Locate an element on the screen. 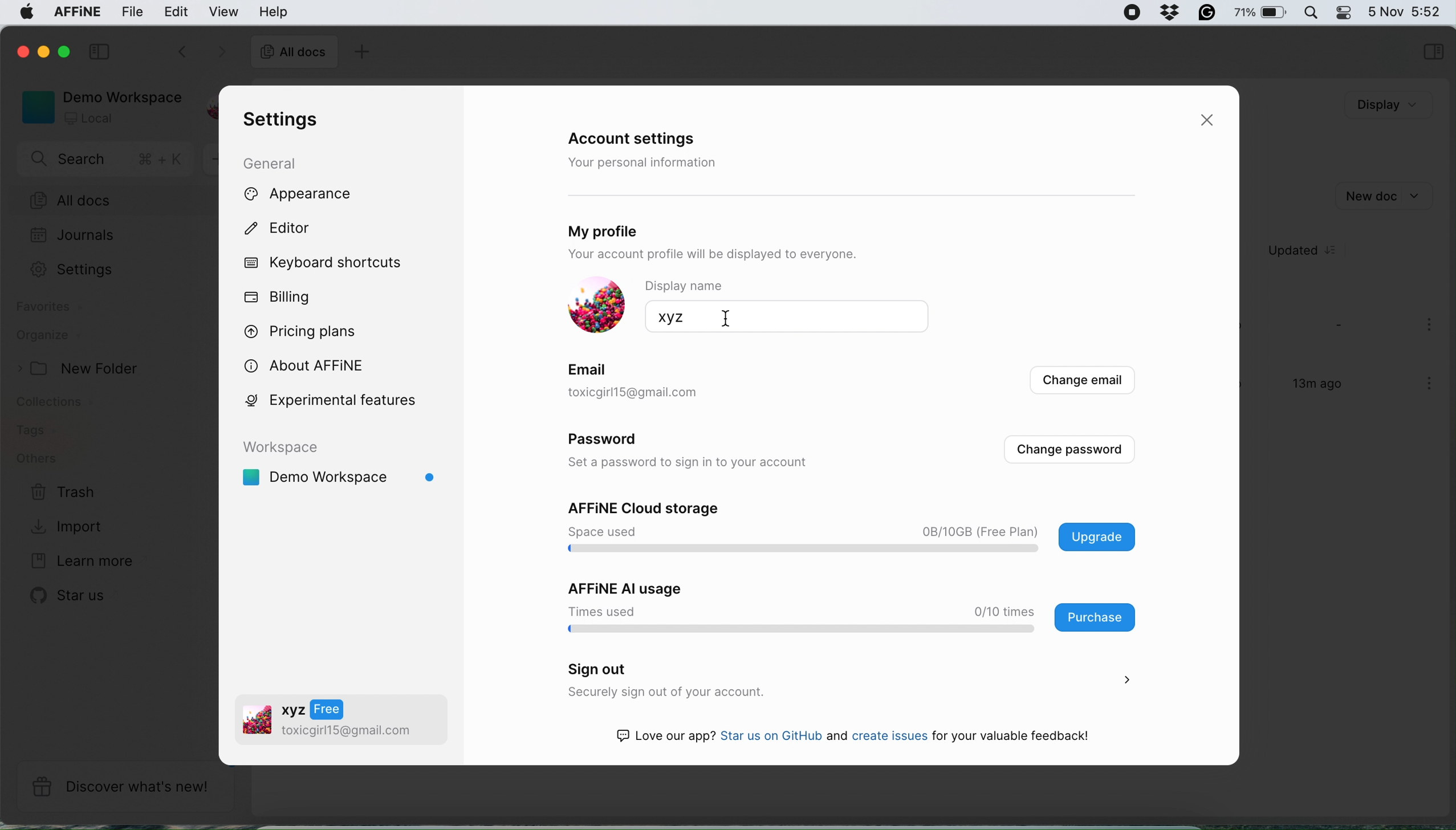 This screenshot has width=1456, height=830. Your account profile will be displayed to everyone. is located at coordinates (758, 255).